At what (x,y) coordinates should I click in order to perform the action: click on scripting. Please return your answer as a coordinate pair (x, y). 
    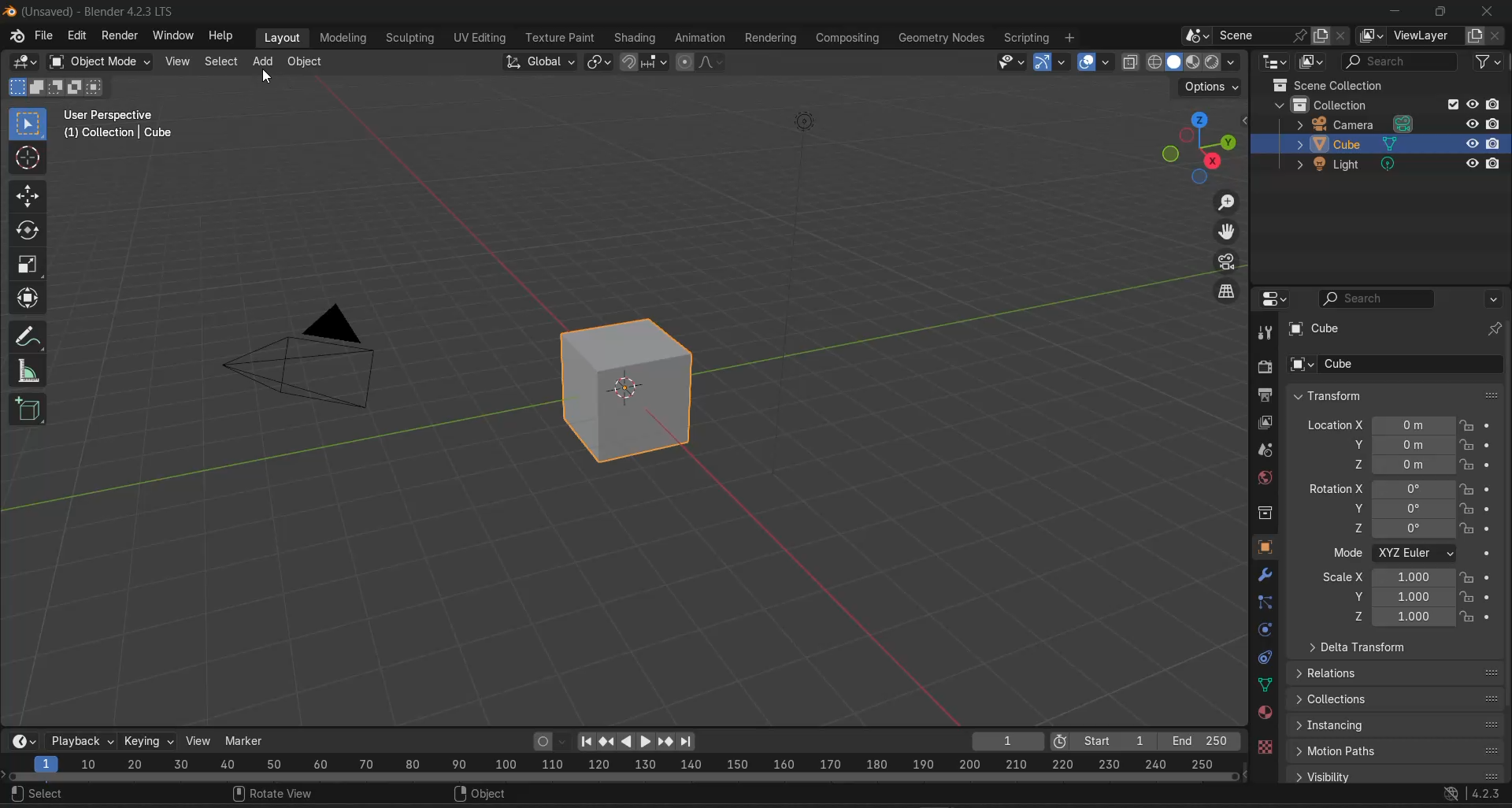
    Looking at the image, I should click on (1026, 35).